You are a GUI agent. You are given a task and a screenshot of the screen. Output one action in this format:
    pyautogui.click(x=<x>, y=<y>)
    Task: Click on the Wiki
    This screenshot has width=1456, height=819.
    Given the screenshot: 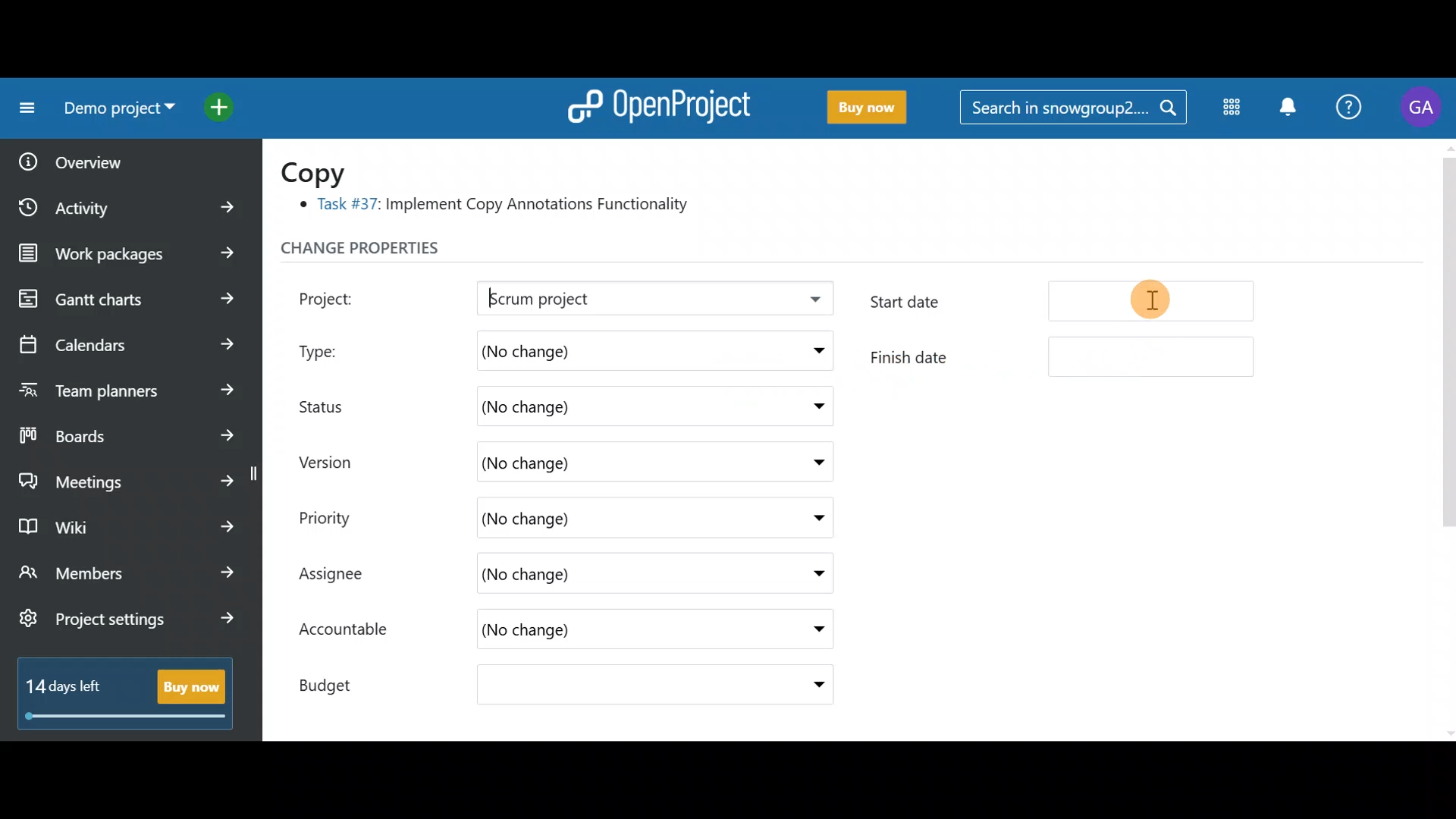 What is the action you would take?
    pyautogui.click(x=124, y=522)
    